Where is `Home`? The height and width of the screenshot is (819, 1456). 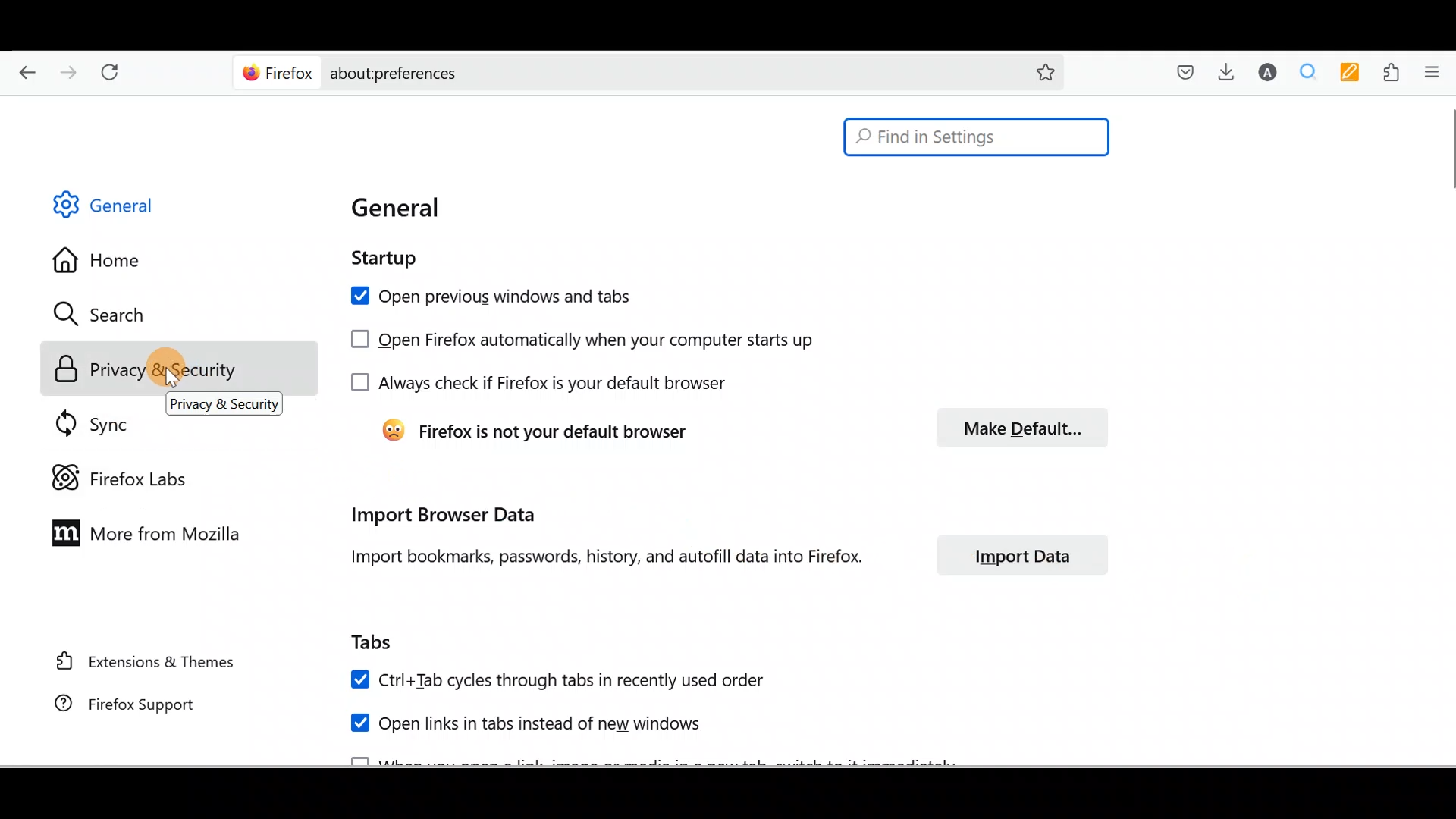 Home is located at coordinates (111, 262).